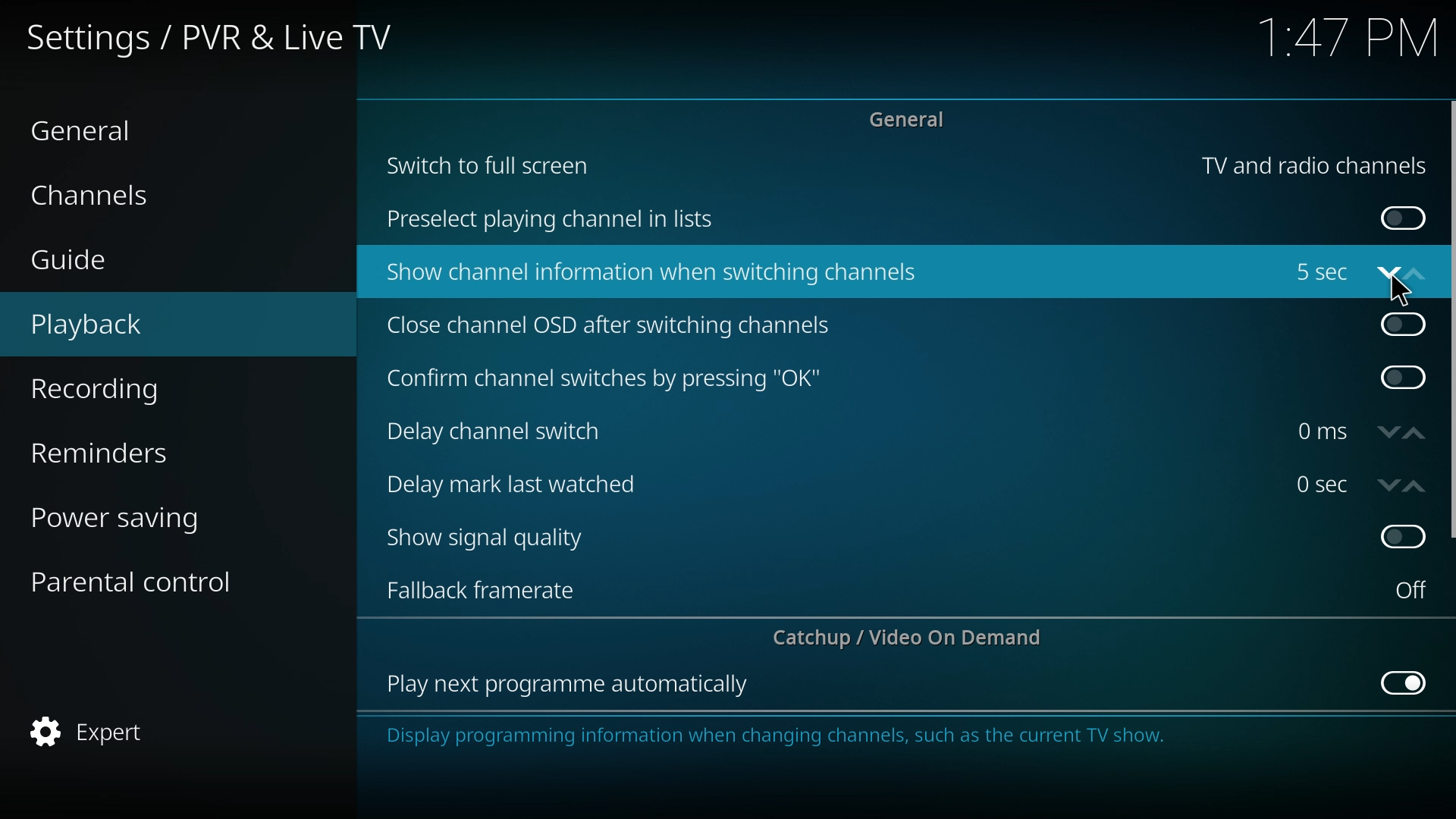  Describe the element at coordinates (1322, 431) in the screenshot. I see `time` at that location.